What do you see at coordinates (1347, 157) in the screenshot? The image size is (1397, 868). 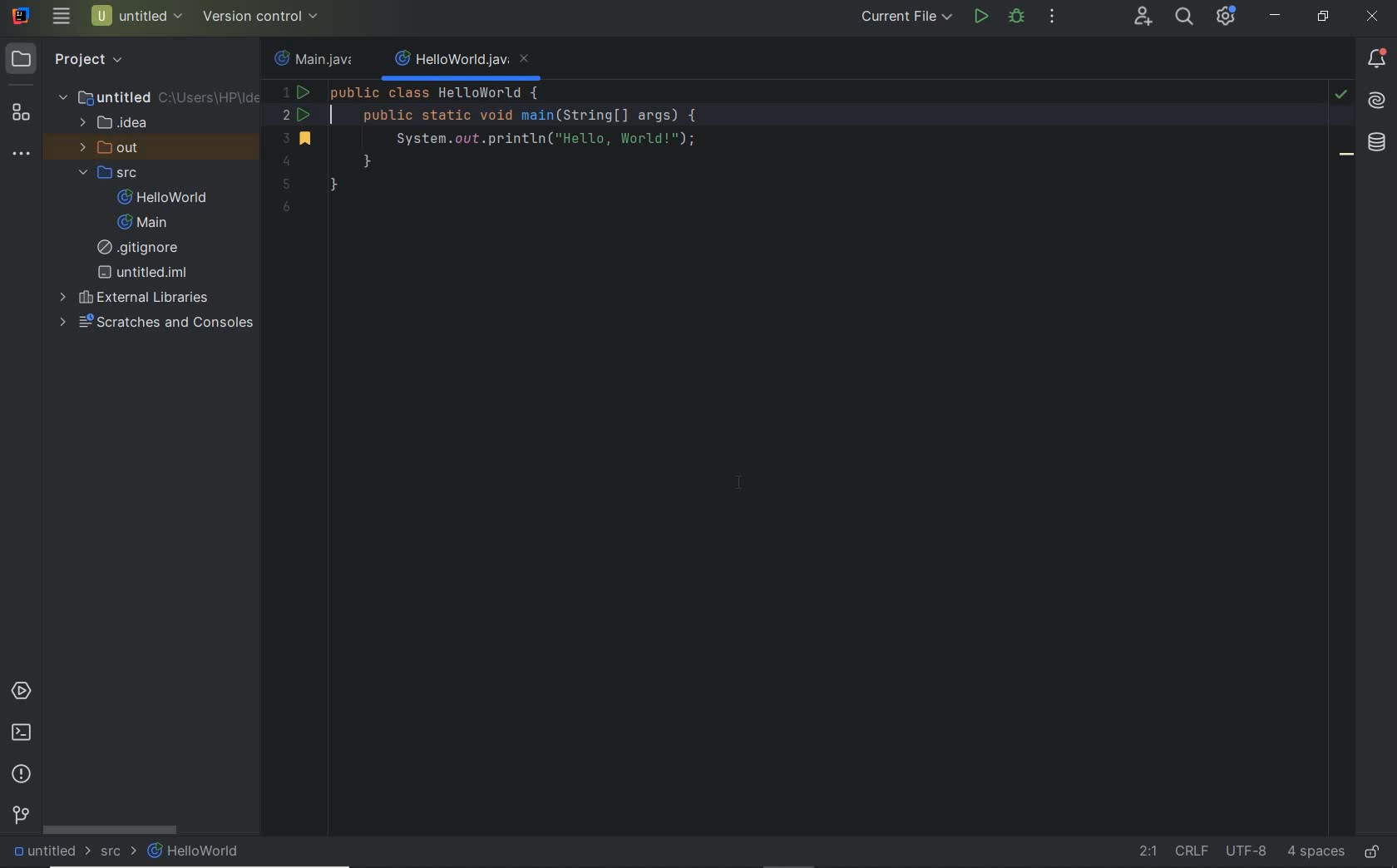 I see `bookmark` at bounding box center [1347, 157].